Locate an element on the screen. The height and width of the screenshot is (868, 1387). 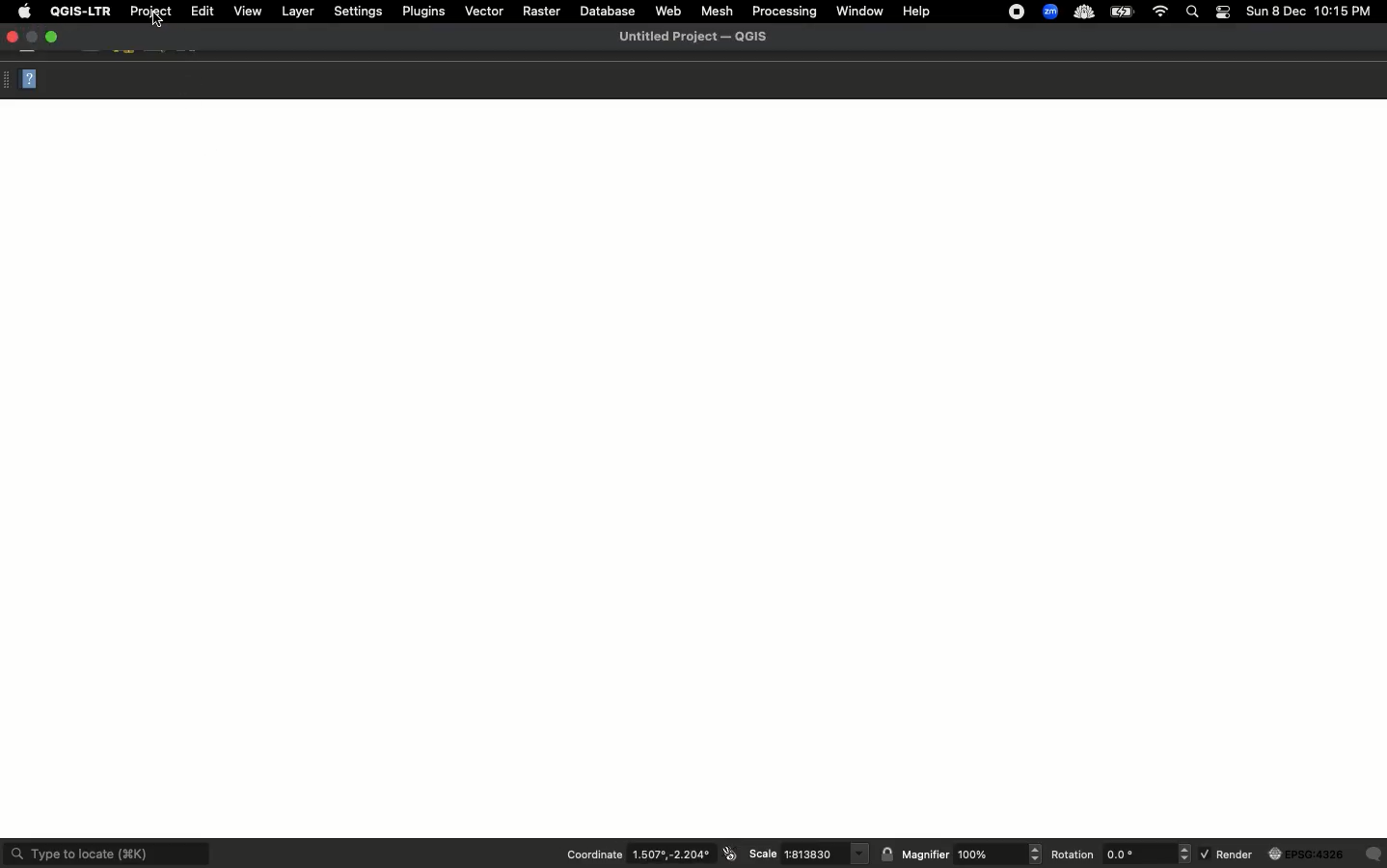
Help is located at coordinates (33, 81).